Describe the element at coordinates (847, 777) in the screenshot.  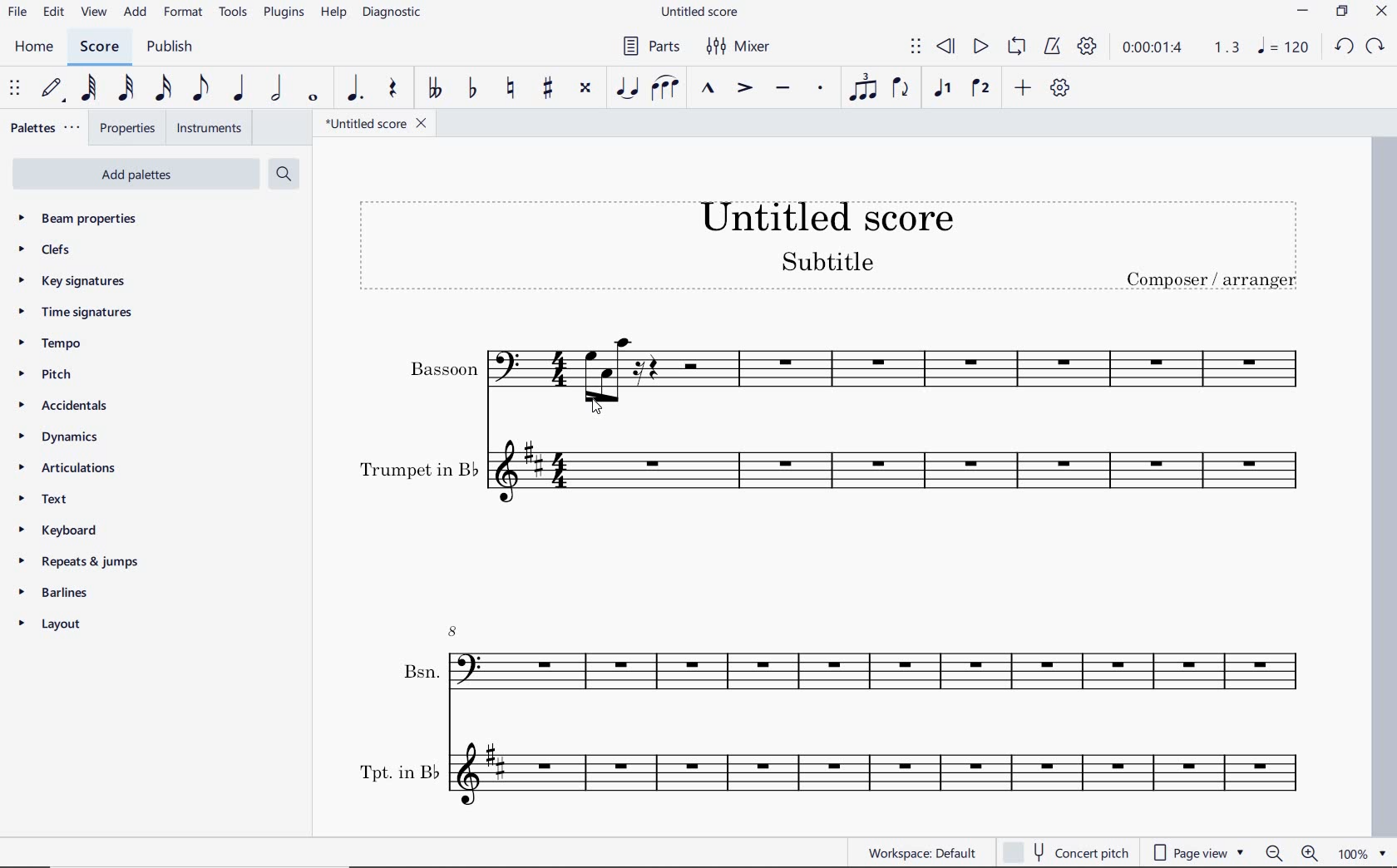
I see `Tpt. in B` at that location.